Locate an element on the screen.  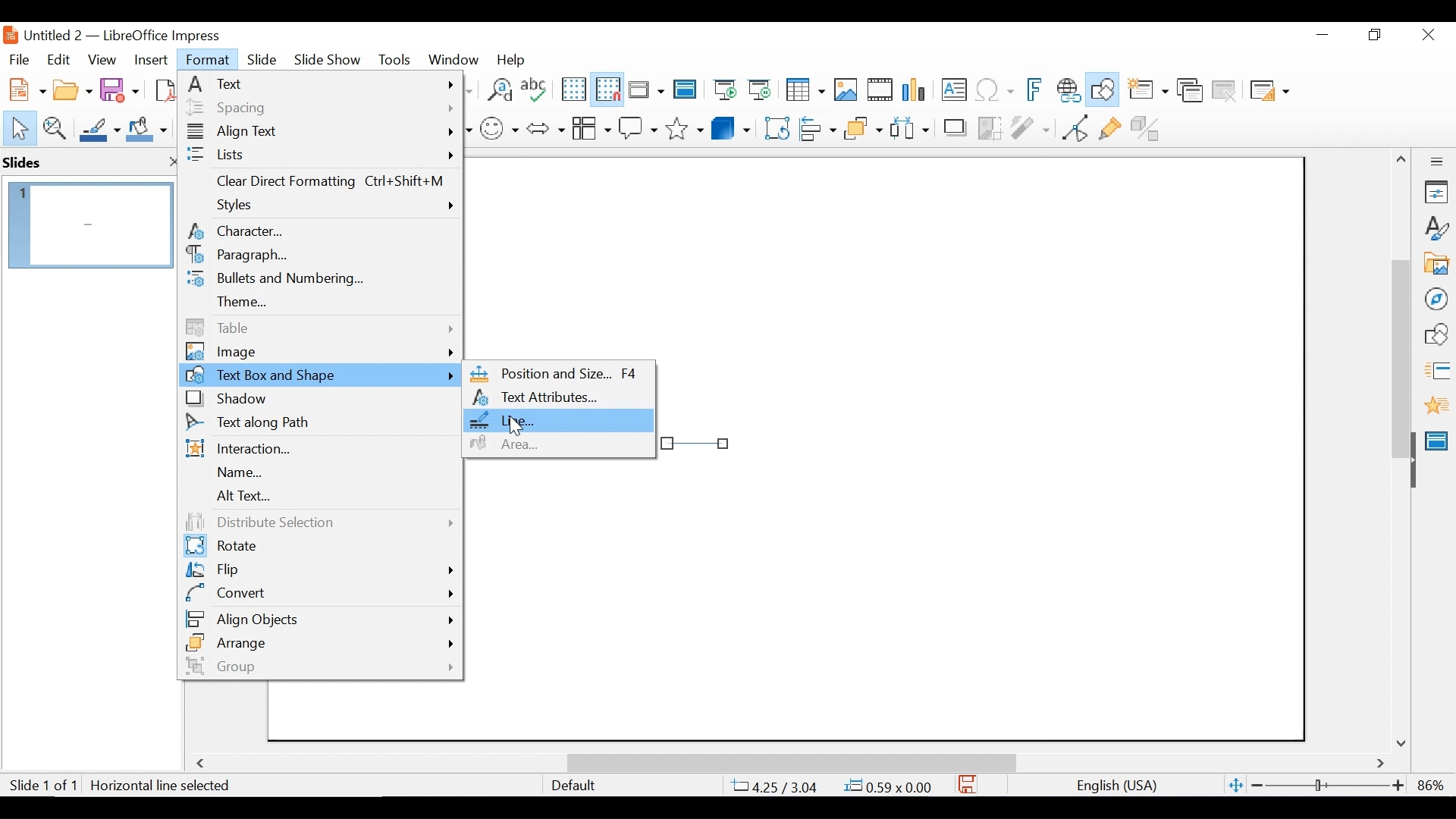
Find and Replace is located at coordinates (499, 89).